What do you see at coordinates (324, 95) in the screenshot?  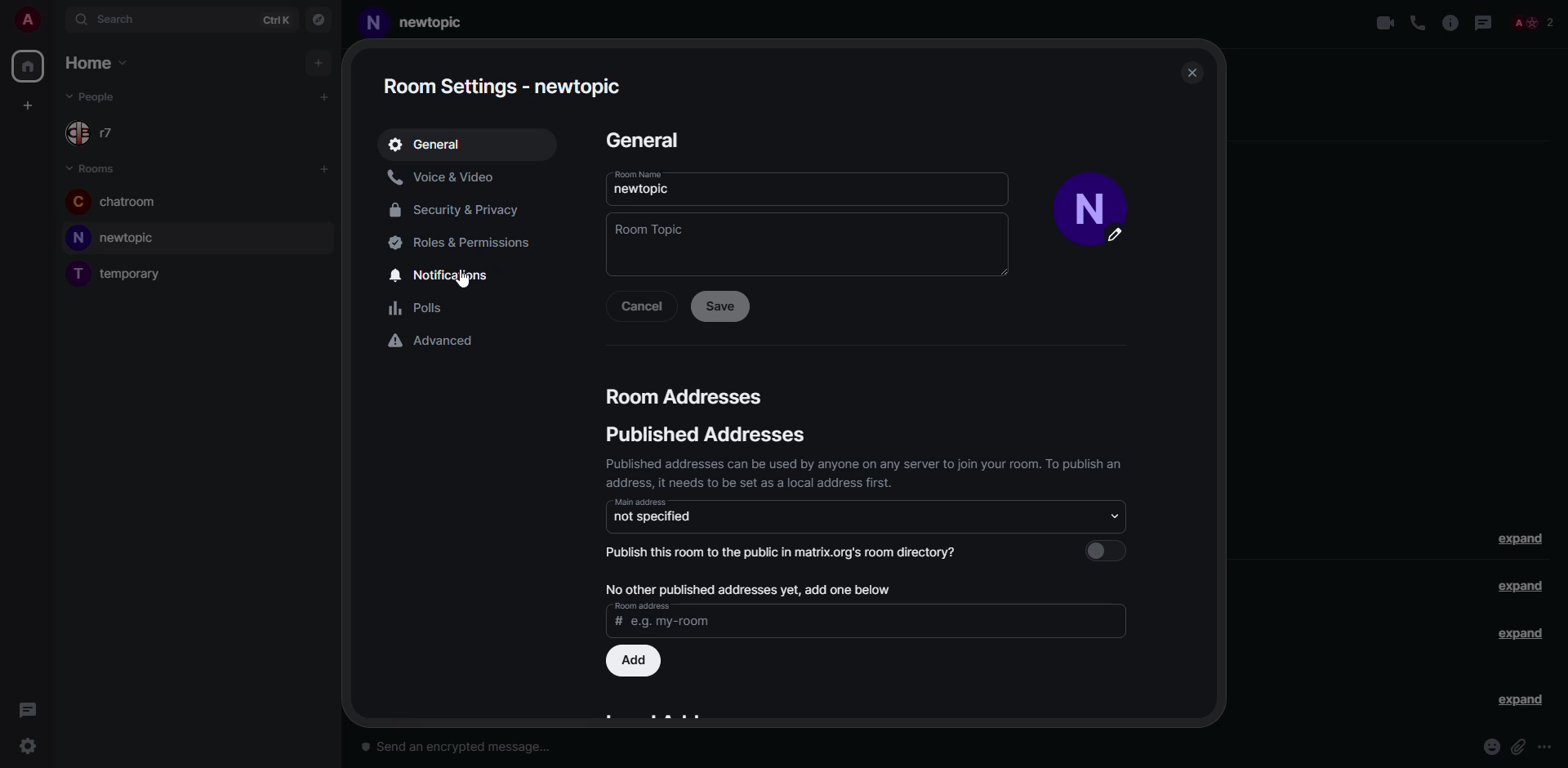 I see `add` at bounding box center [324, 95].